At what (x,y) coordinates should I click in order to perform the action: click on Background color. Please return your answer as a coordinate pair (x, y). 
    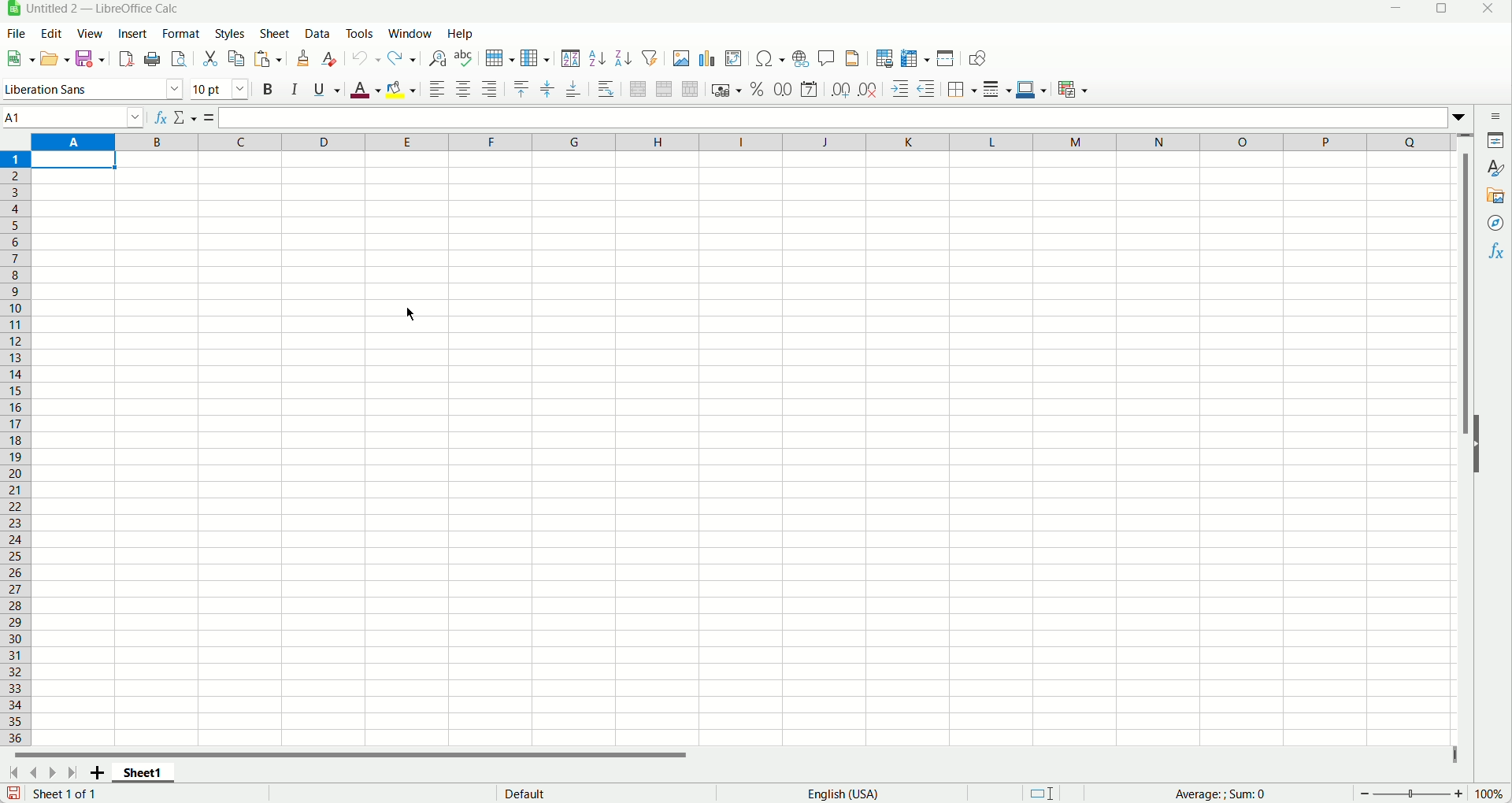
    Looking at the image, I should click on (401, 91).